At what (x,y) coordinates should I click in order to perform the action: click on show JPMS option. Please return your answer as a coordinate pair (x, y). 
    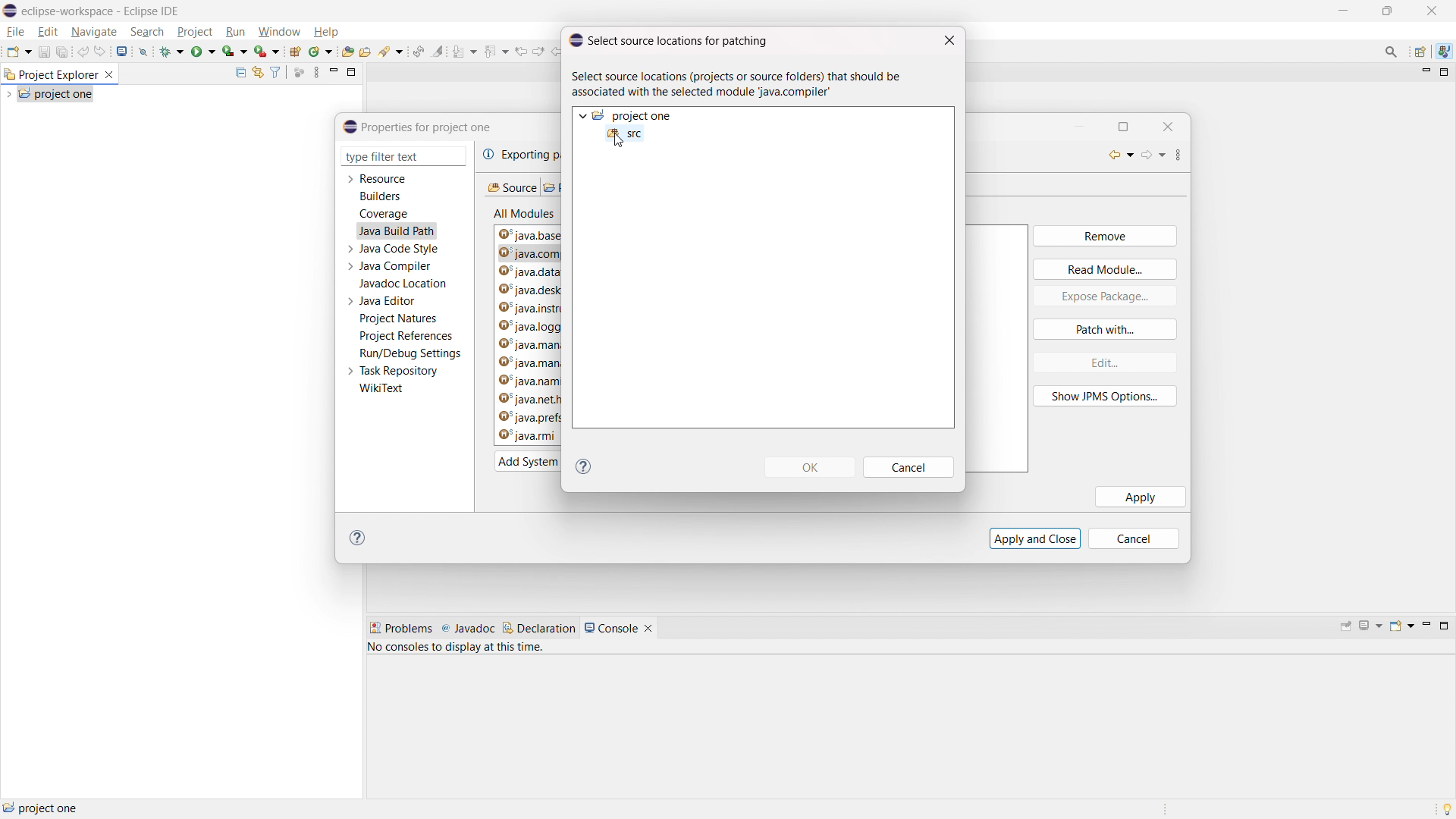
    Looking at the image, I should click on (1106, 397).